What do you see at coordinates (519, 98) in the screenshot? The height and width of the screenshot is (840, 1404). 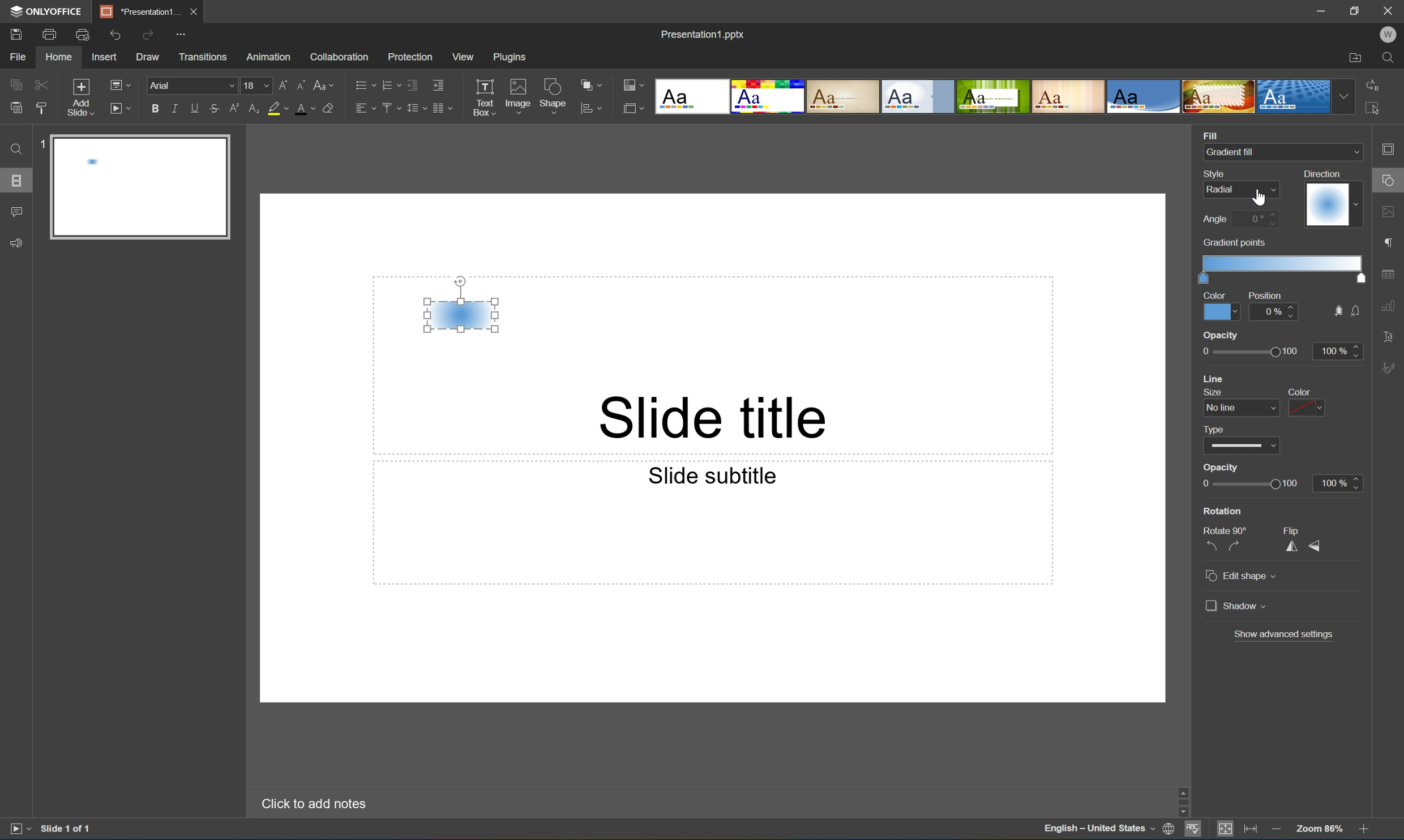 I see `Image` at bounding box center [519, 98].